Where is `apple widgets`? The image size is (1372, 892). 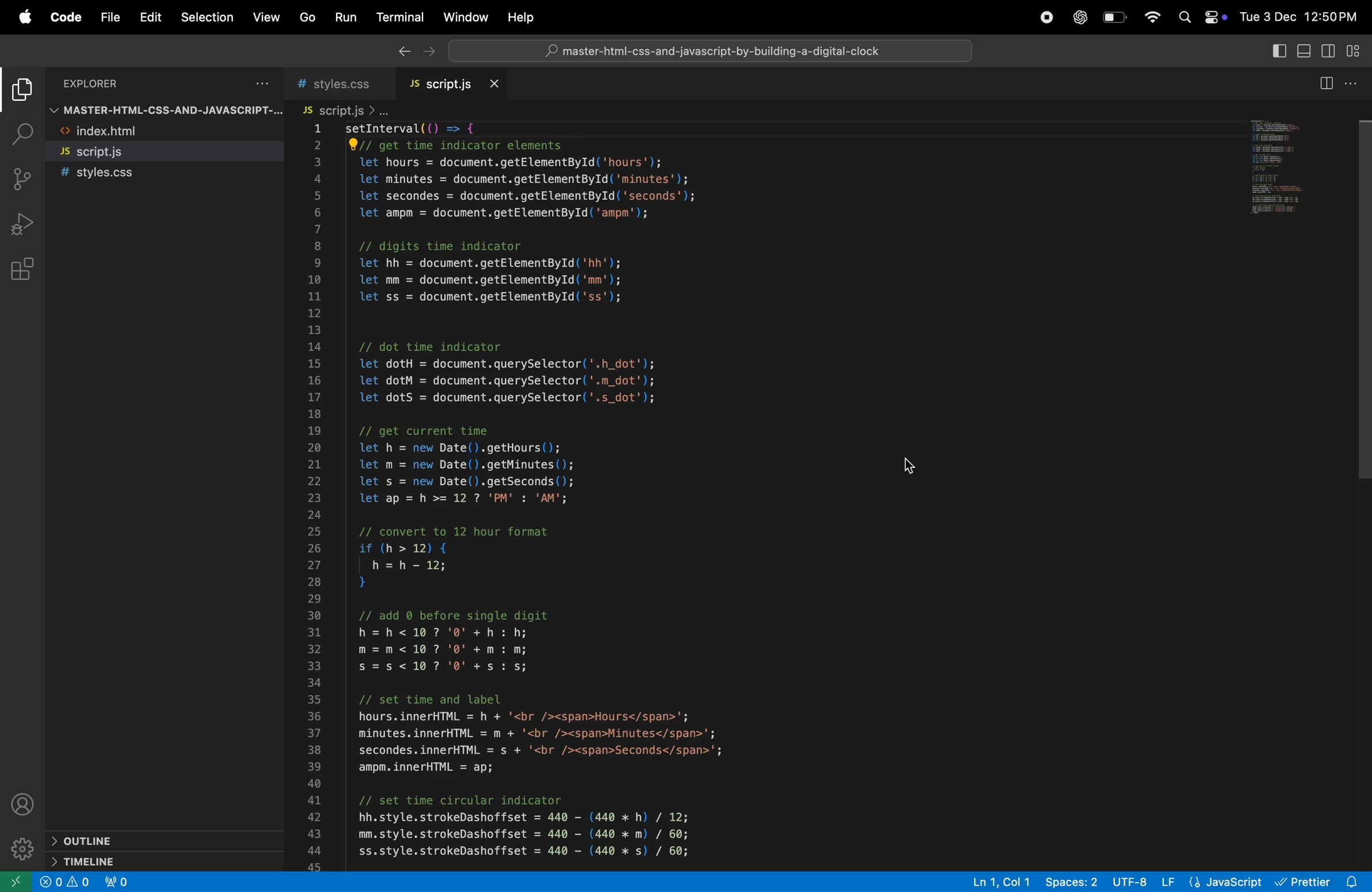 apple widgets is located at coordinates (1201, 16).